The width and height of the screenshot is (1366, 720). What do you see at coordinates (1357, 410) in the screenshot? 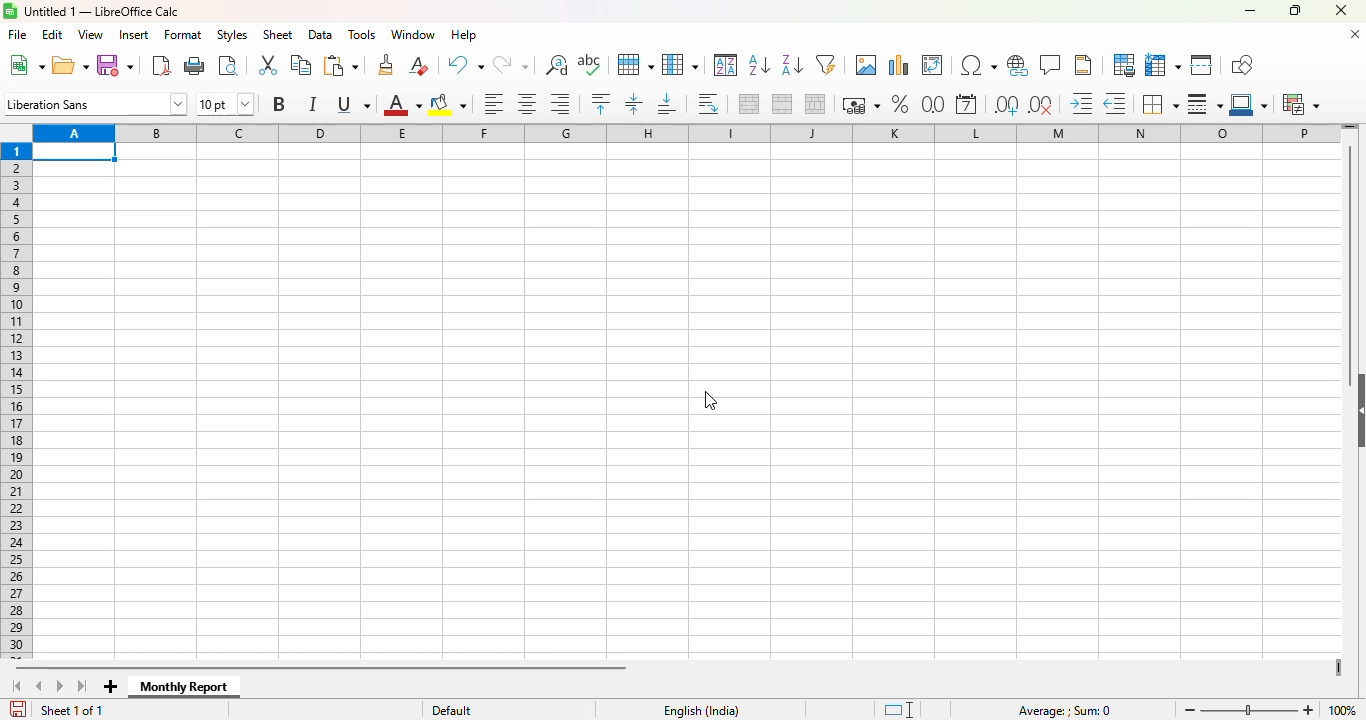
I see `show` at bounding box center [1357, 410].